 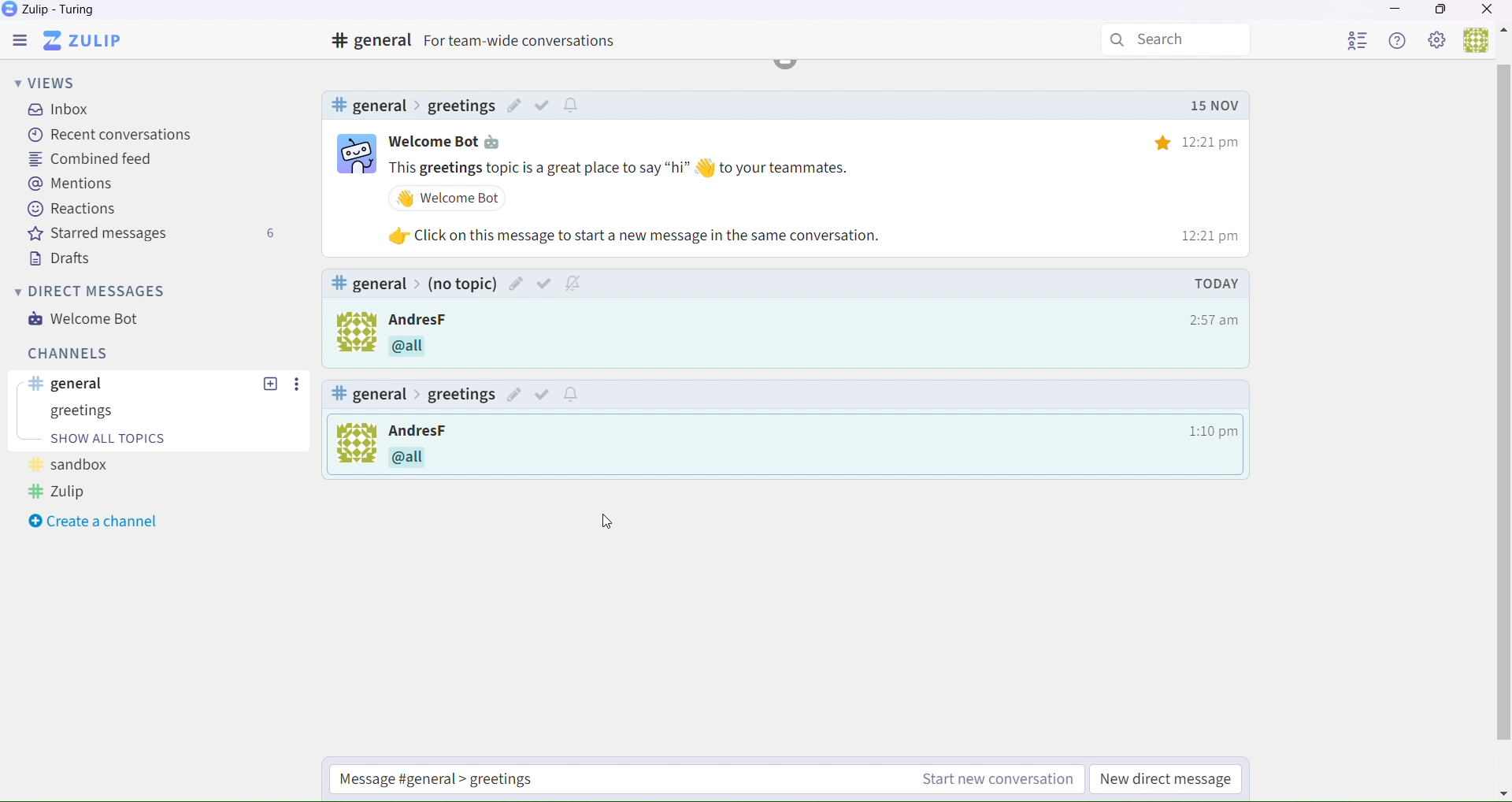 I want to click on 12:21 pm, so click(x=1202, y=236).